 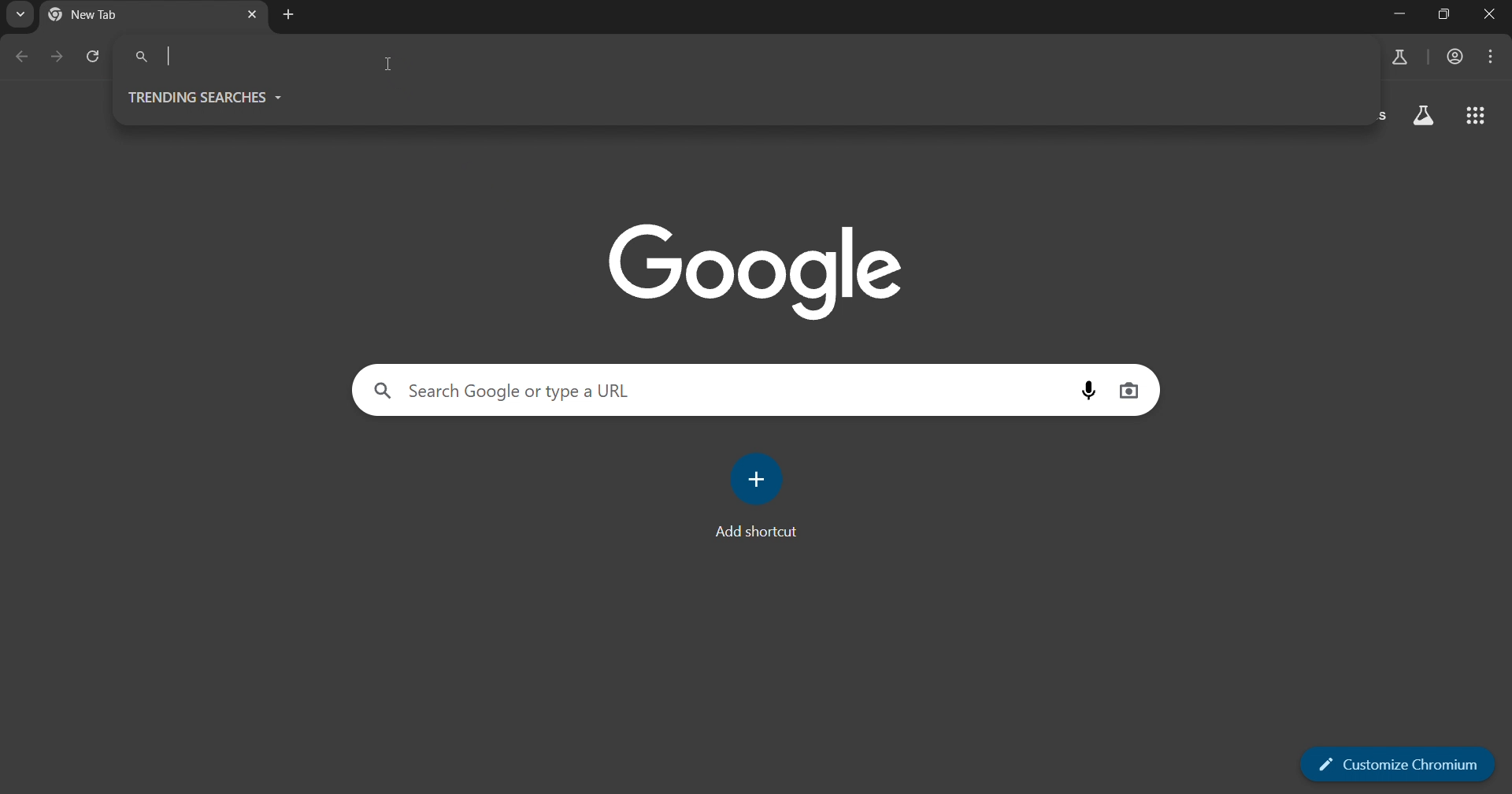 What do you see at coordinates (765, 495) in the screenshot?
I see `add shortcut` at bounding box center [765, 495].